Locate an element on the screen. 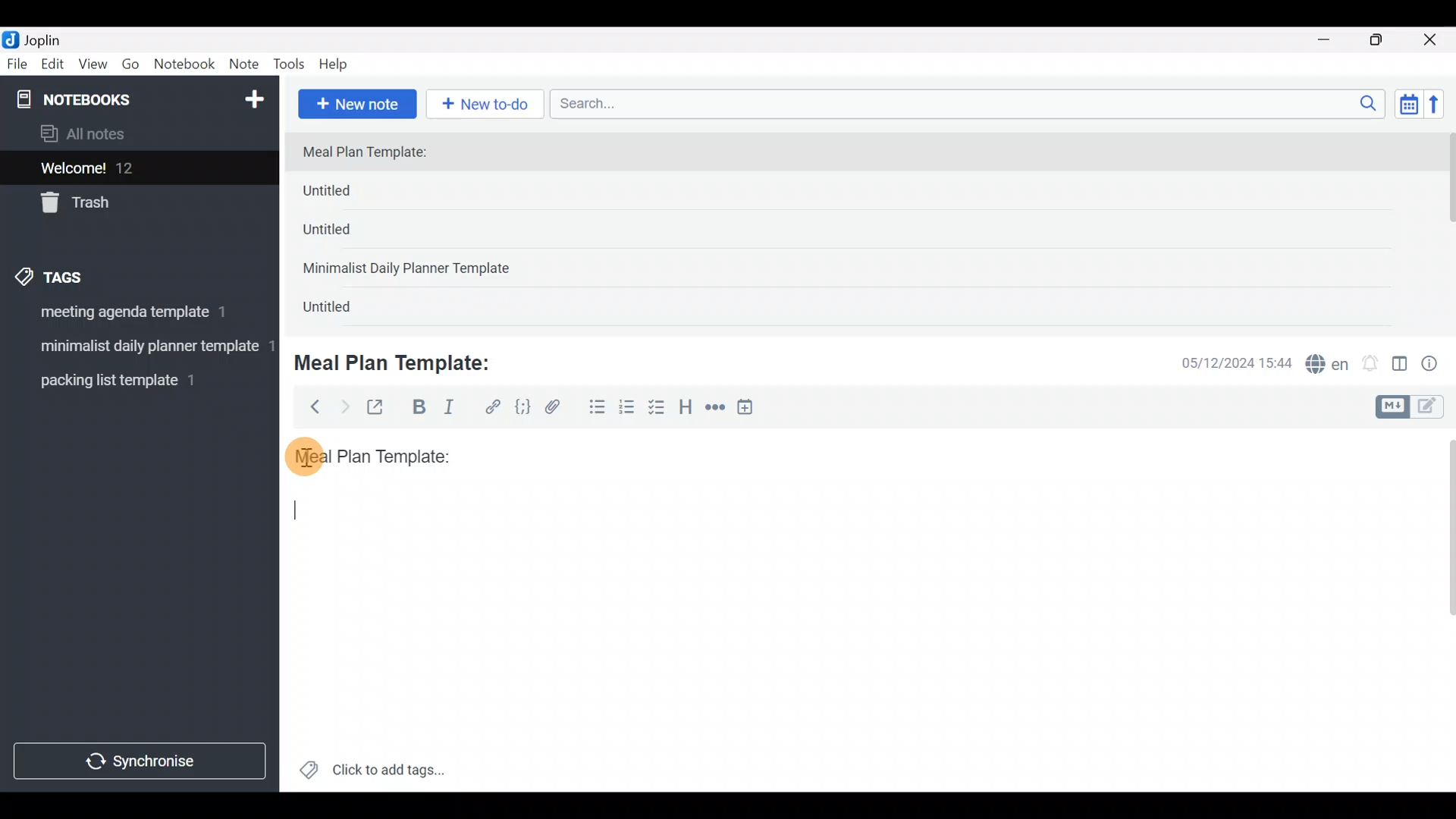  Bold is located at coordinates (418, 409).